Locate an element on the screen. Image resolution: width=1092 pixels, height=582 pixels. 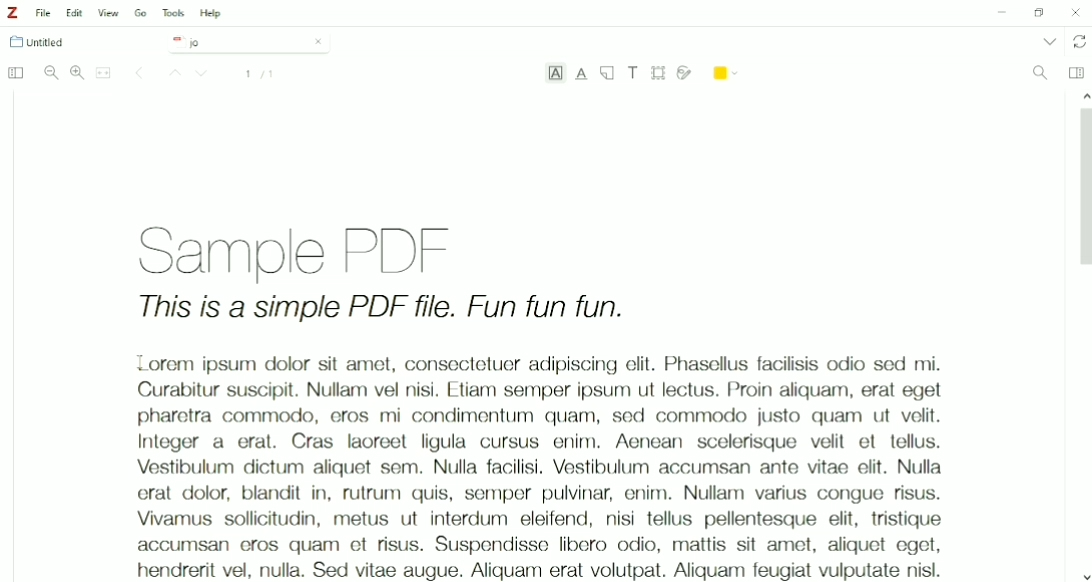
Zoom Out is located at coordinates (51, 73).